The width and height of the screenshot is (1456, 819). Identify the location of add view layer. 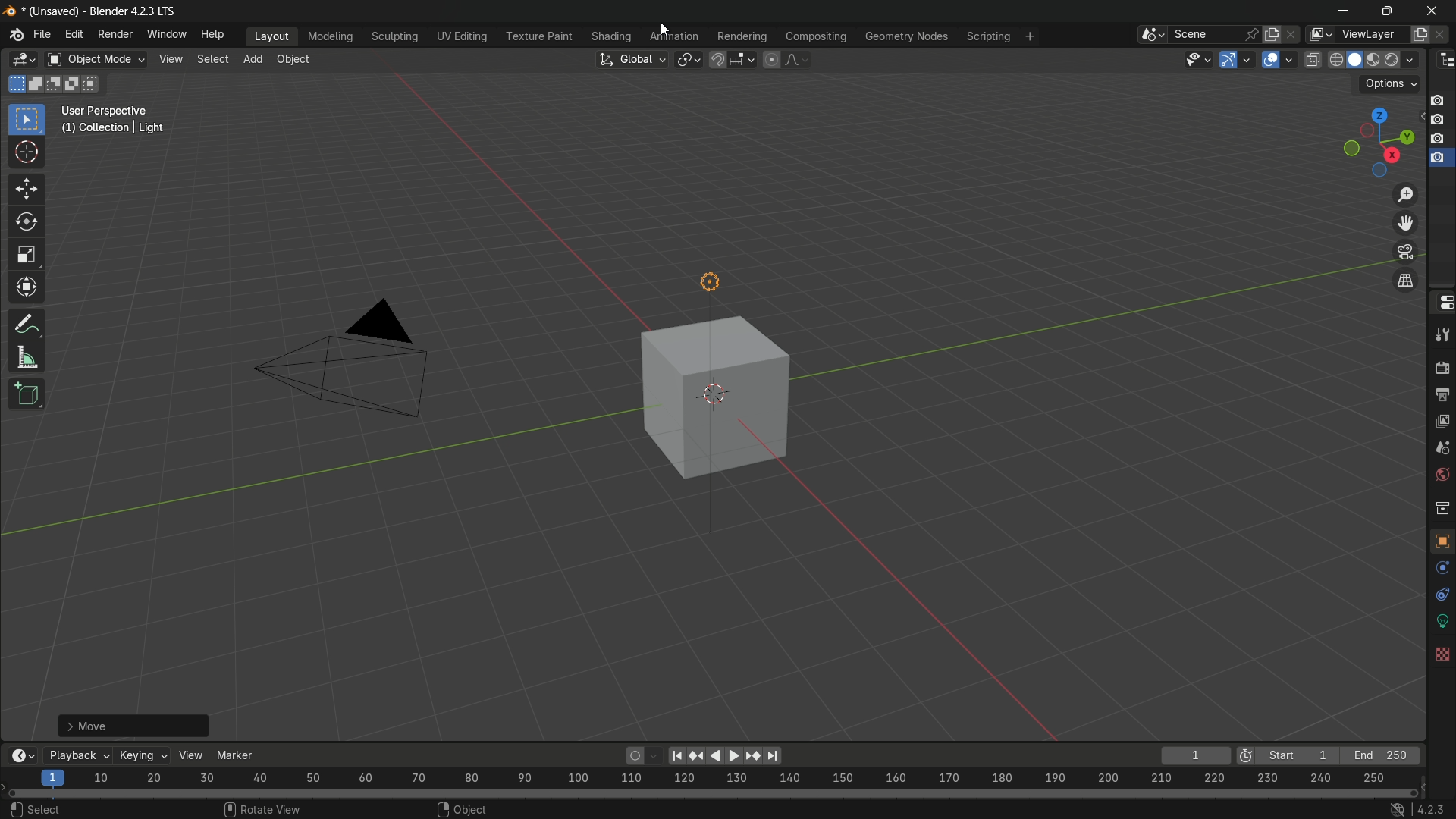
(1420, 34).